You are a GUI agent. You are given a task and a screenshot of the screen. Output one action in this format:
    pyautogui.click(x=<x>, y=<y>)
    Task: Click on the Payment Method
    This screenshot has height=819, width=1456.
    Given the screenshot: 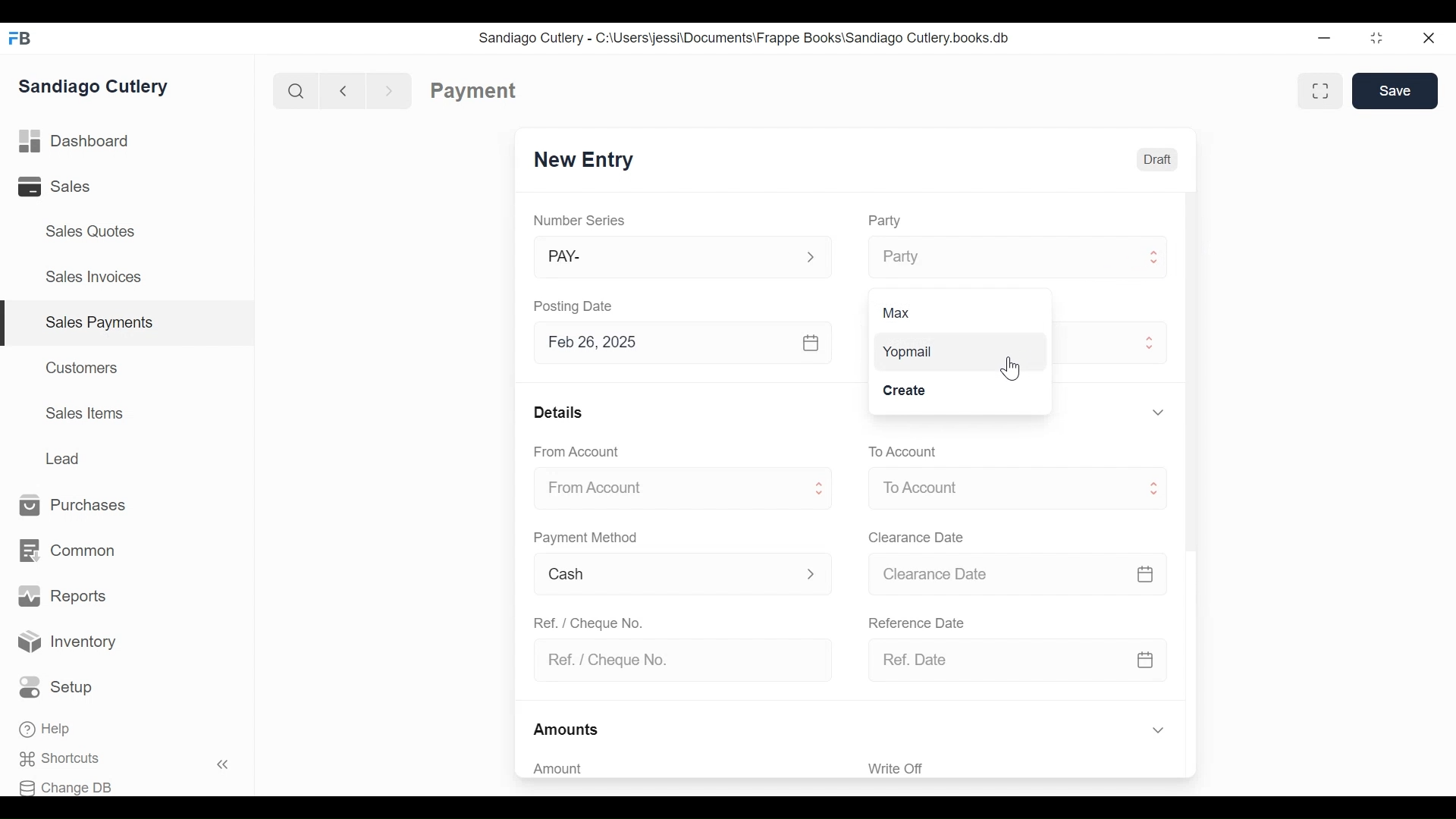 What is the action you would take?
    pyautogui.click(x=585, y=538)
    